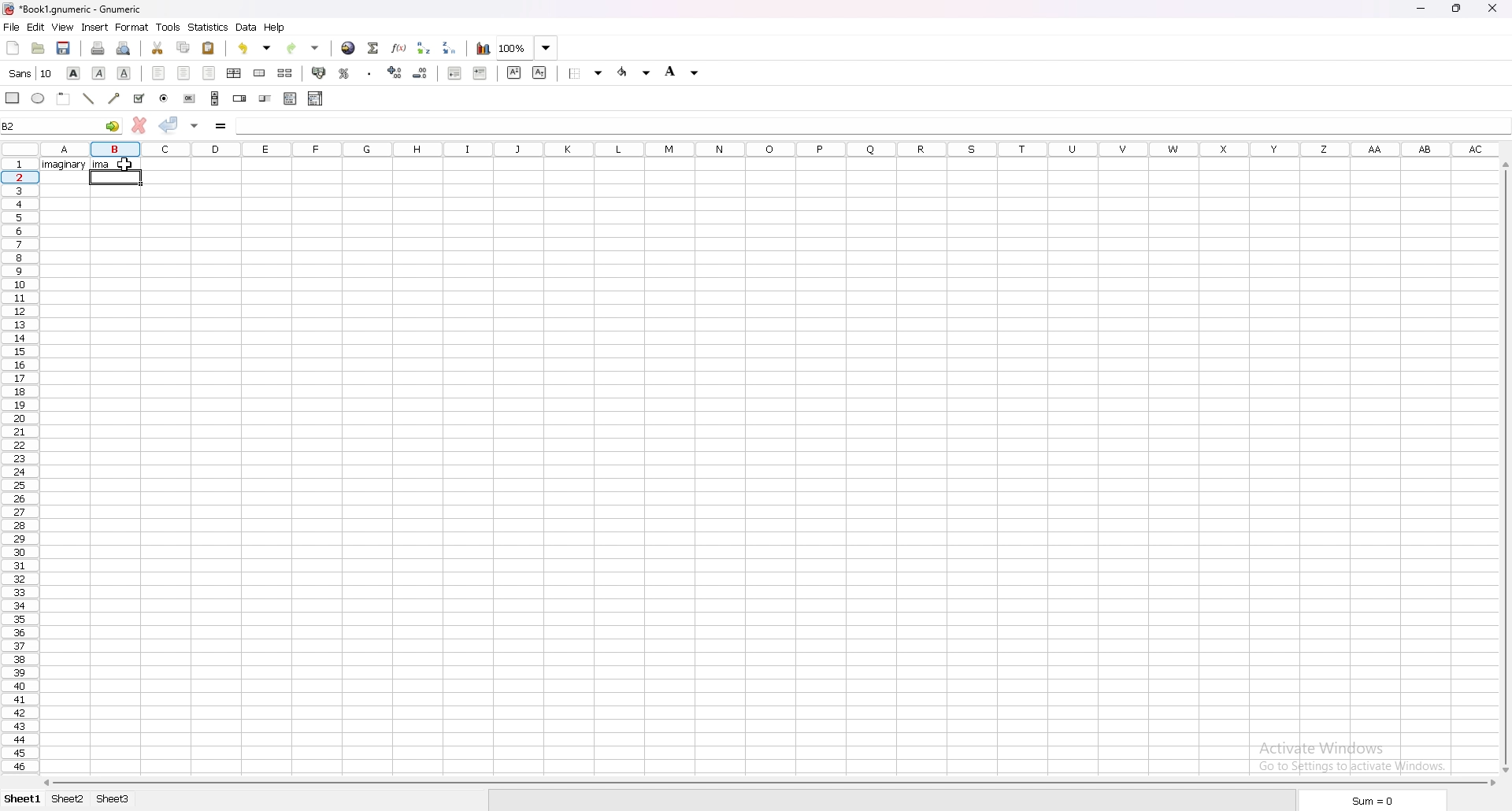 The width and height of the screenshot is (1512, 811). What do you see at coordinates (102, 164) in the screenshot?
I see `output` at bounding box center [102, 164].